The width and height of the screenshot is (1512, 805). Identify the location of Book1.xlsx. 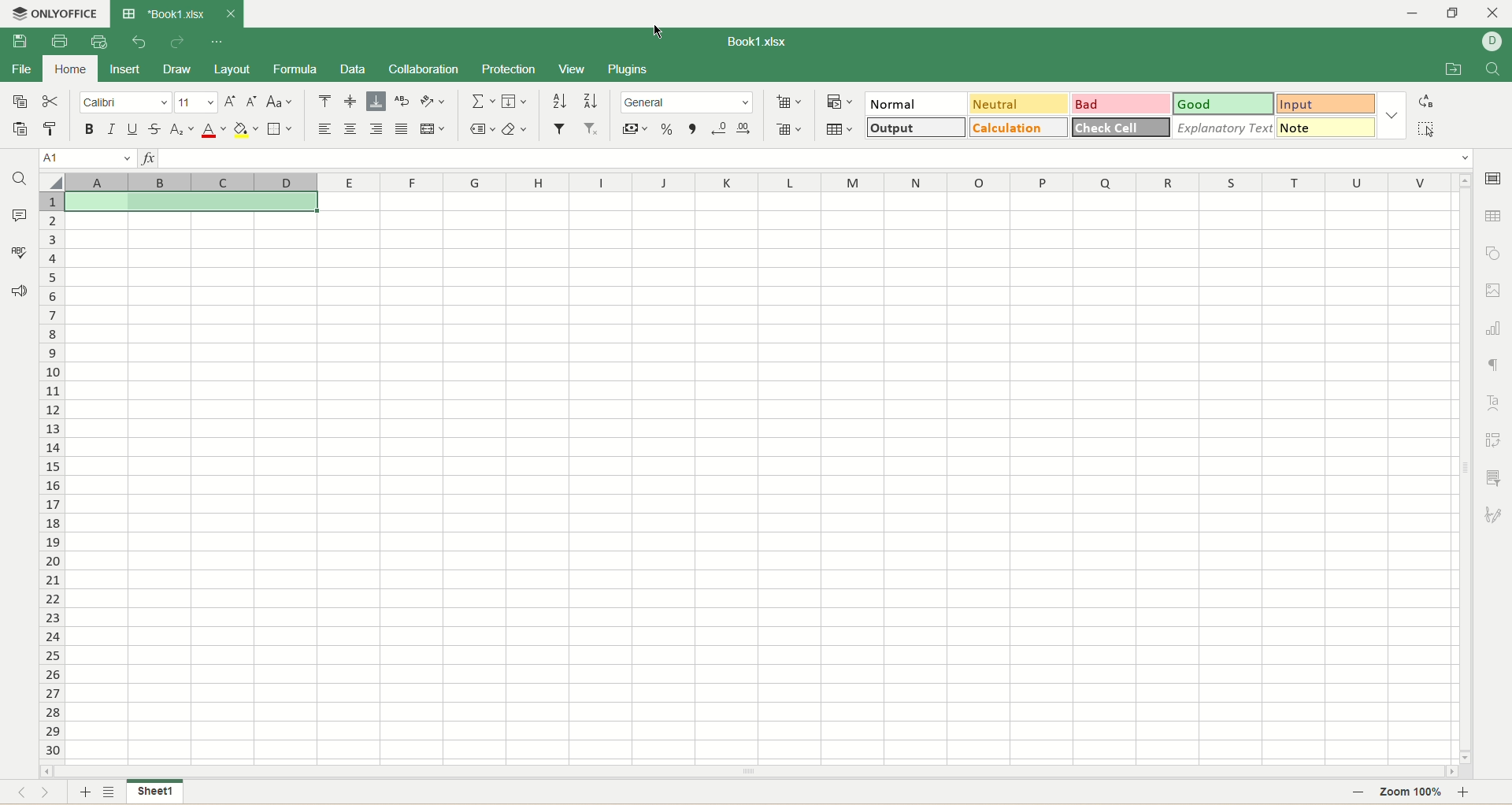
(163, 14).